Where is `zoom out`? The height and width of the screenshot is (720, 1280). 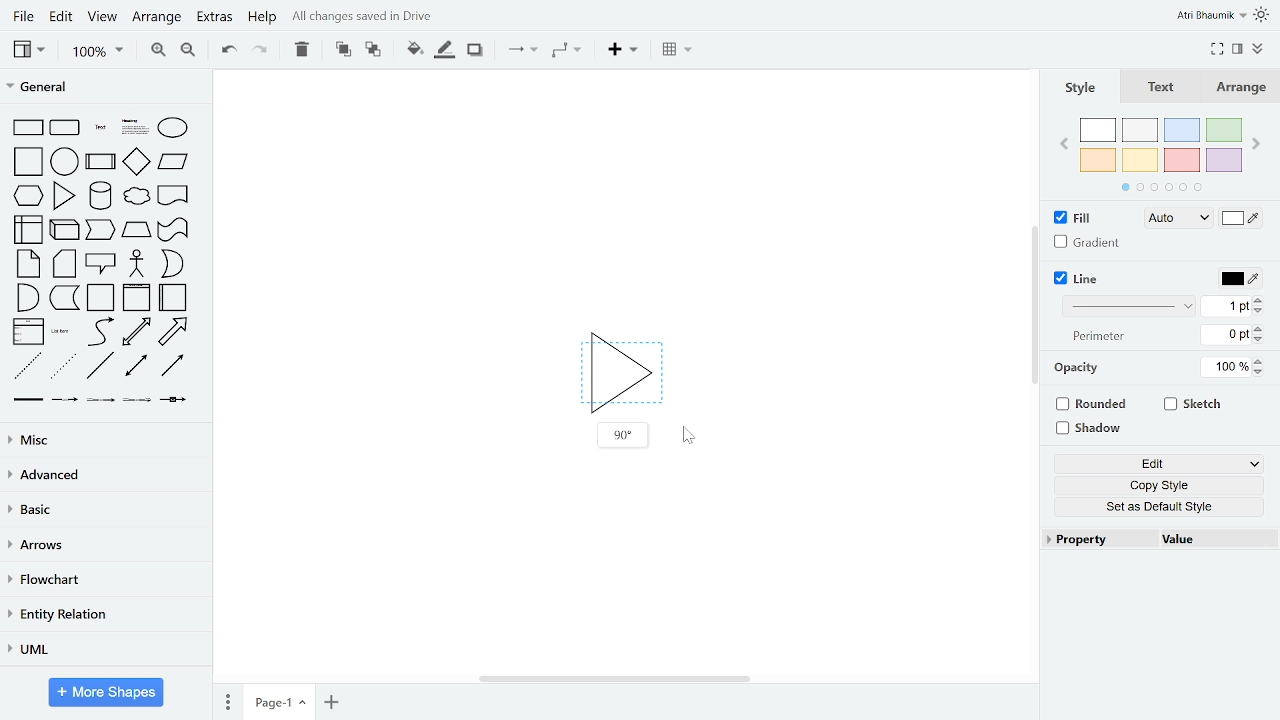
zoom out is located at coordinates (187, 51).